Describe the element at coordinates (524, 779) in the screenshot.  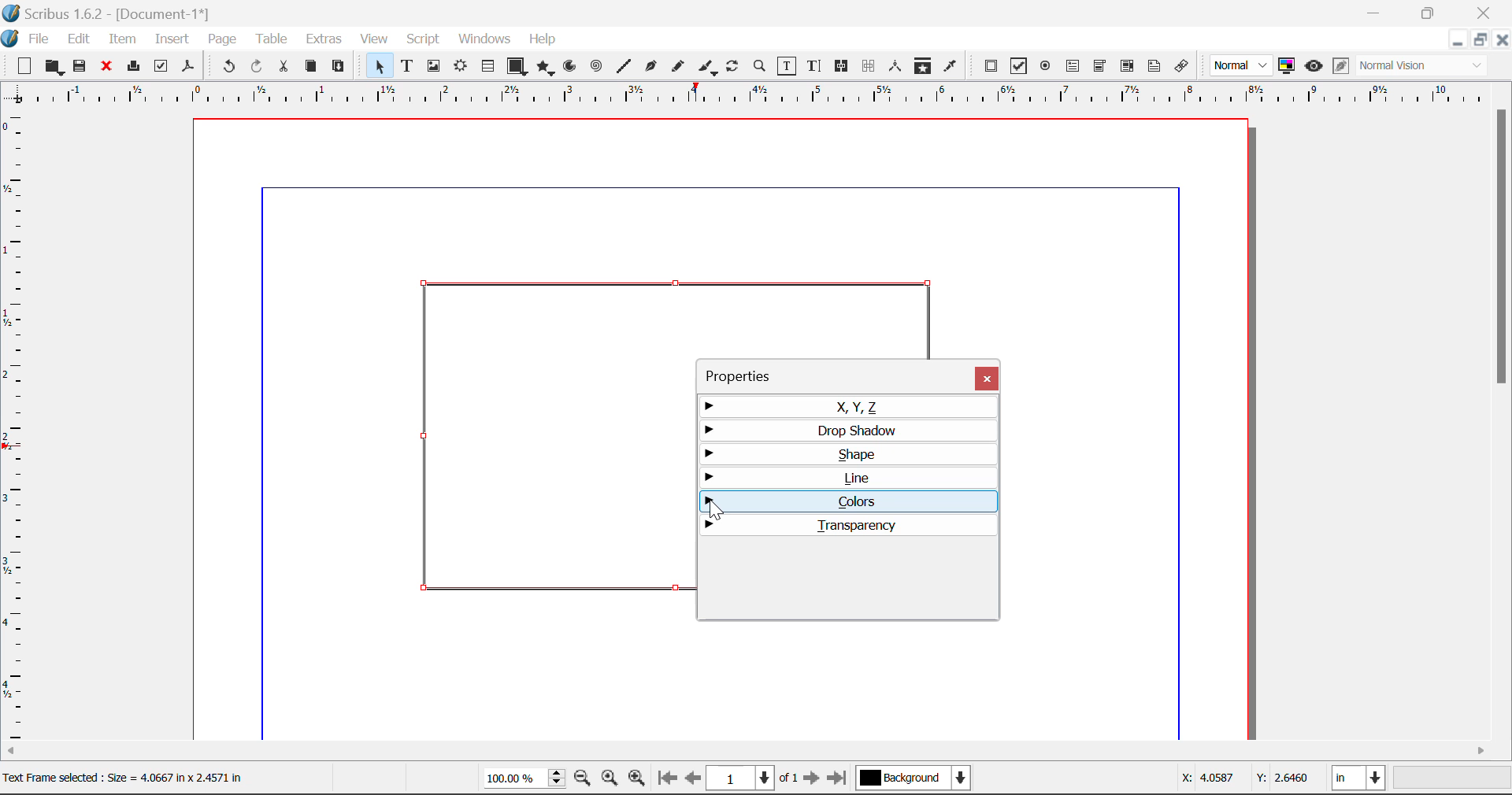
I see `Zoom 100%` at that location.